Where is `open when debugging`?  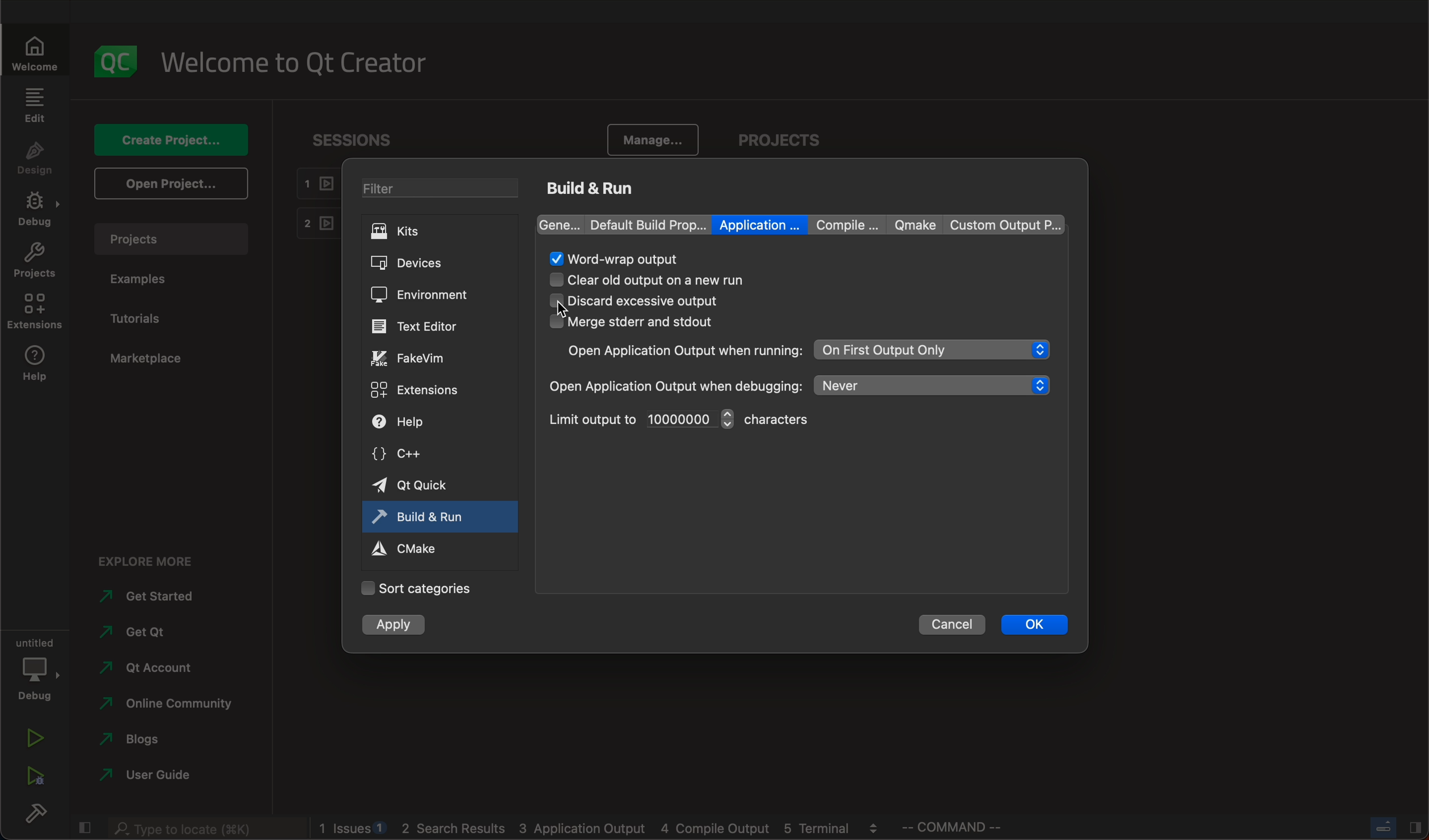 open when debugging is located at coordinates (675, 385).